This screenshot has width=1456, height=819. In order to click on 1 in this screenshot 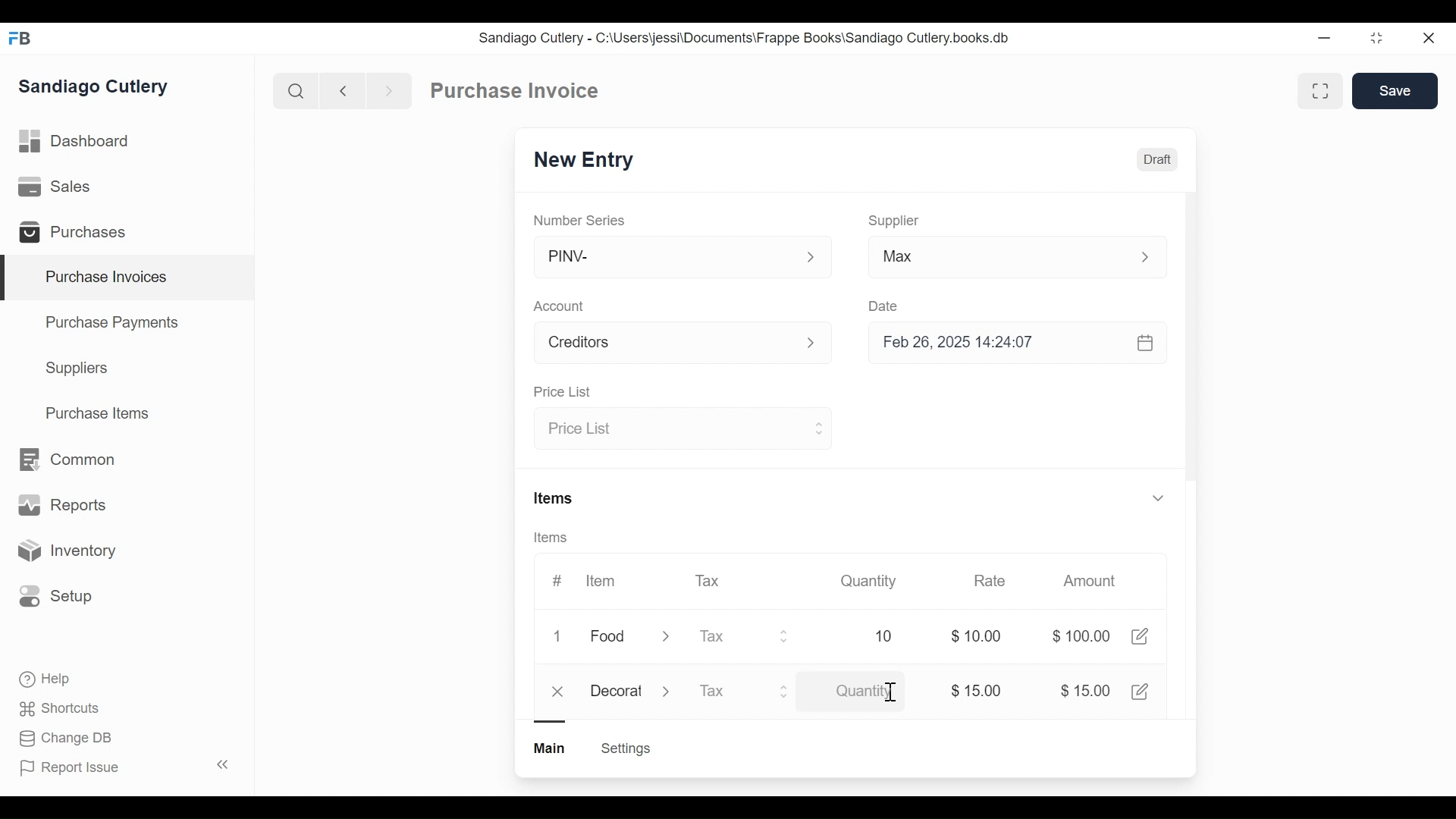, I will do `click(561, 637)`.